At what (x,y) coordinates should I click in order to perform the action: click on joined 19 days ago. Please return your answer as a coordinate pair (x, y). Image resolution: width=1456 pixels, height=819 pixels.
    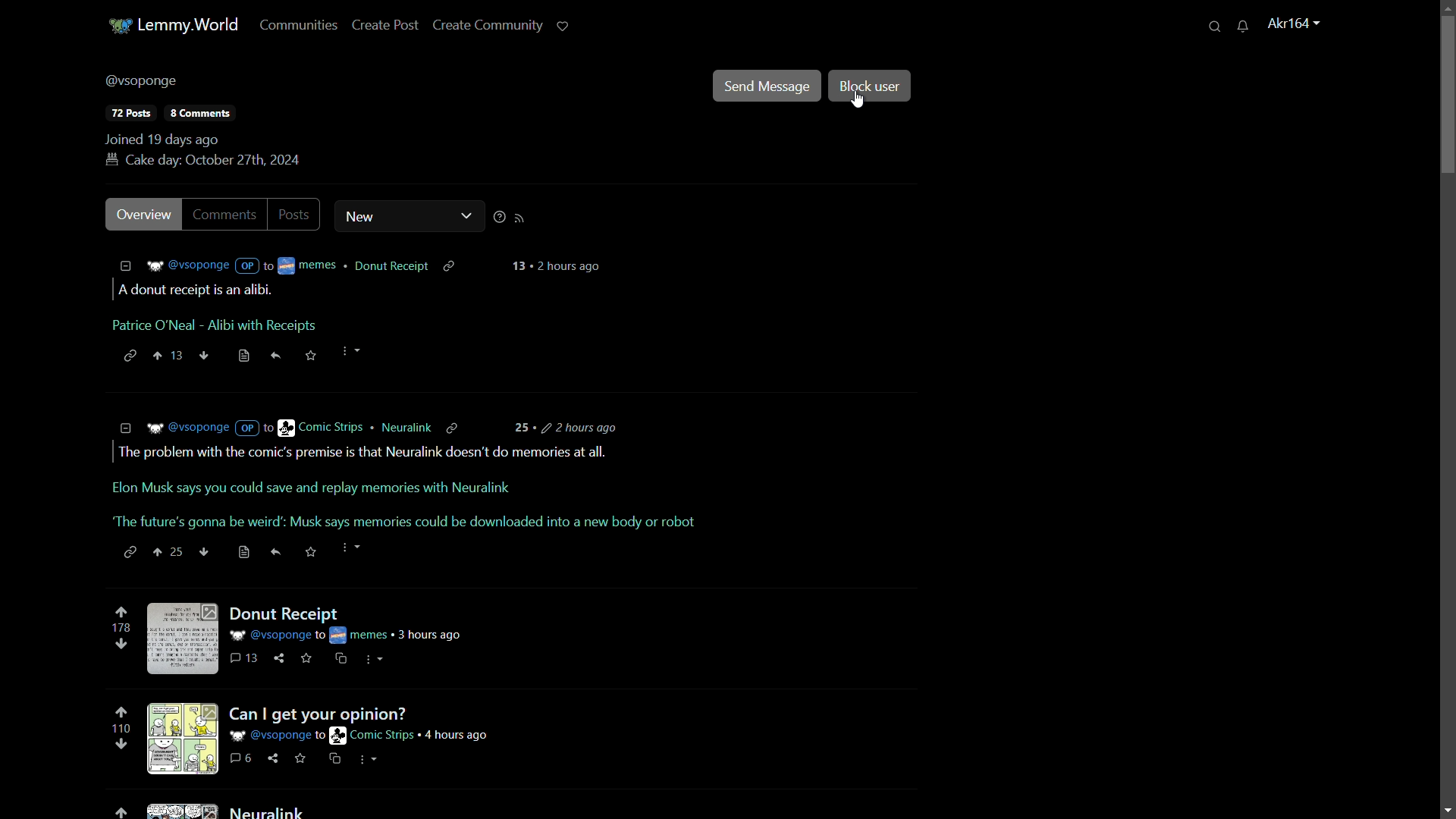
    Looking at the image, I should click on (162, 140).